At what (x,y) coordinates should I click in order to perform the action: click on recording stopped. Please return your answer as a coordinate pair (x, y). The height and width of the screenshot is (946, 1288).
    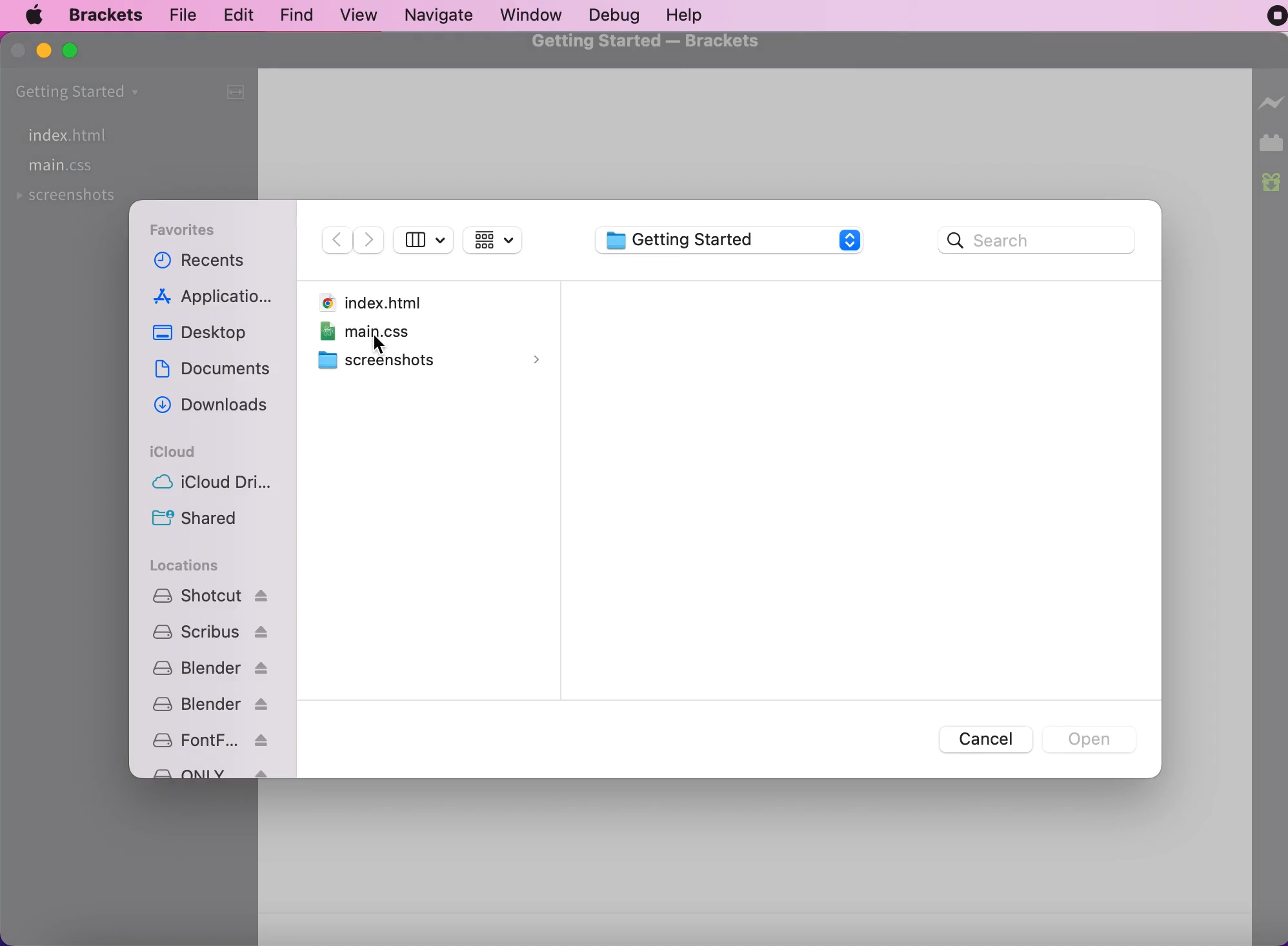
    Looking at the image, I should click on (1268, 20).